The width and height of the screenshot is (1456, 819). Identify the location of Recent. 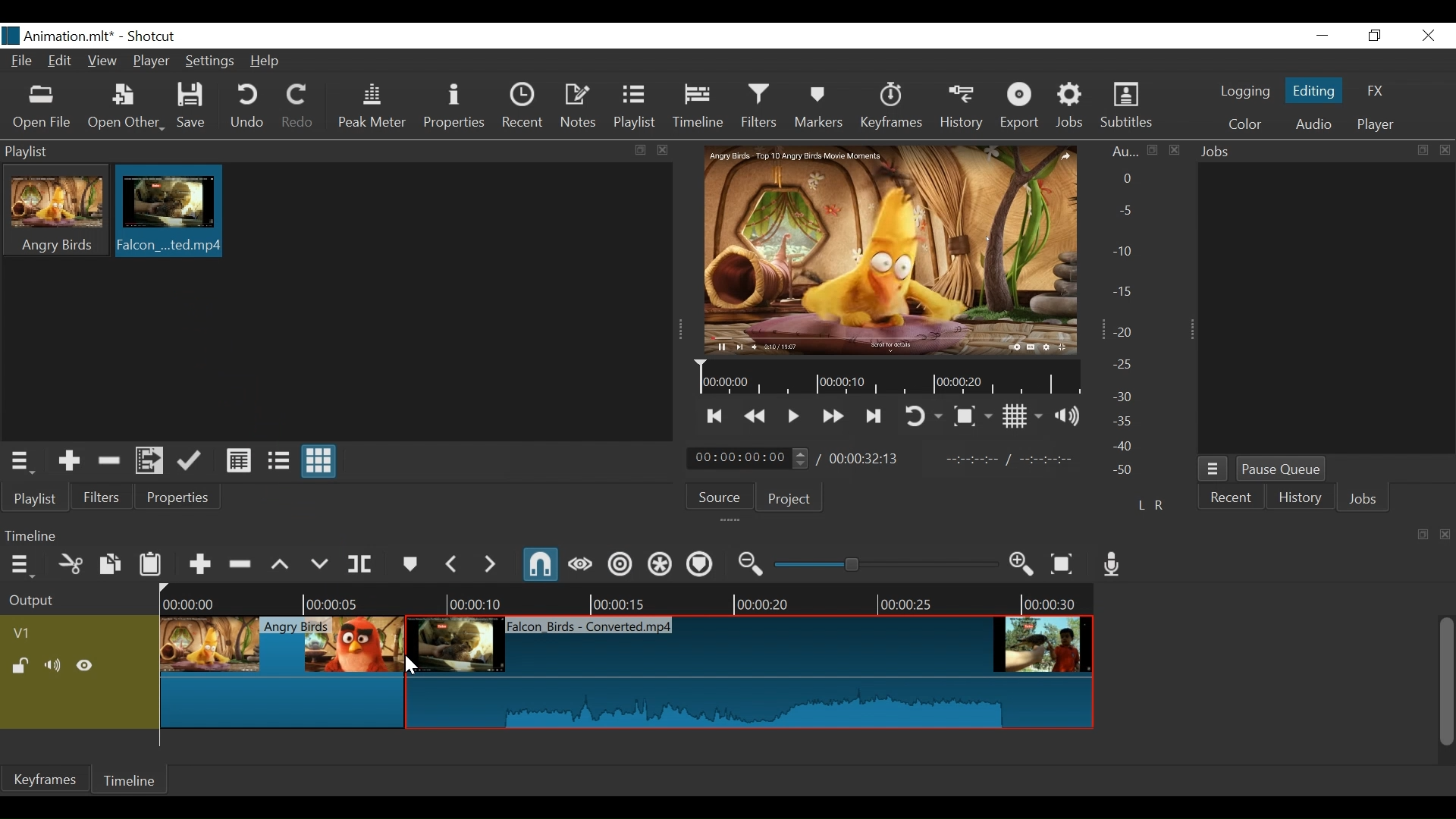
(1231, 497).